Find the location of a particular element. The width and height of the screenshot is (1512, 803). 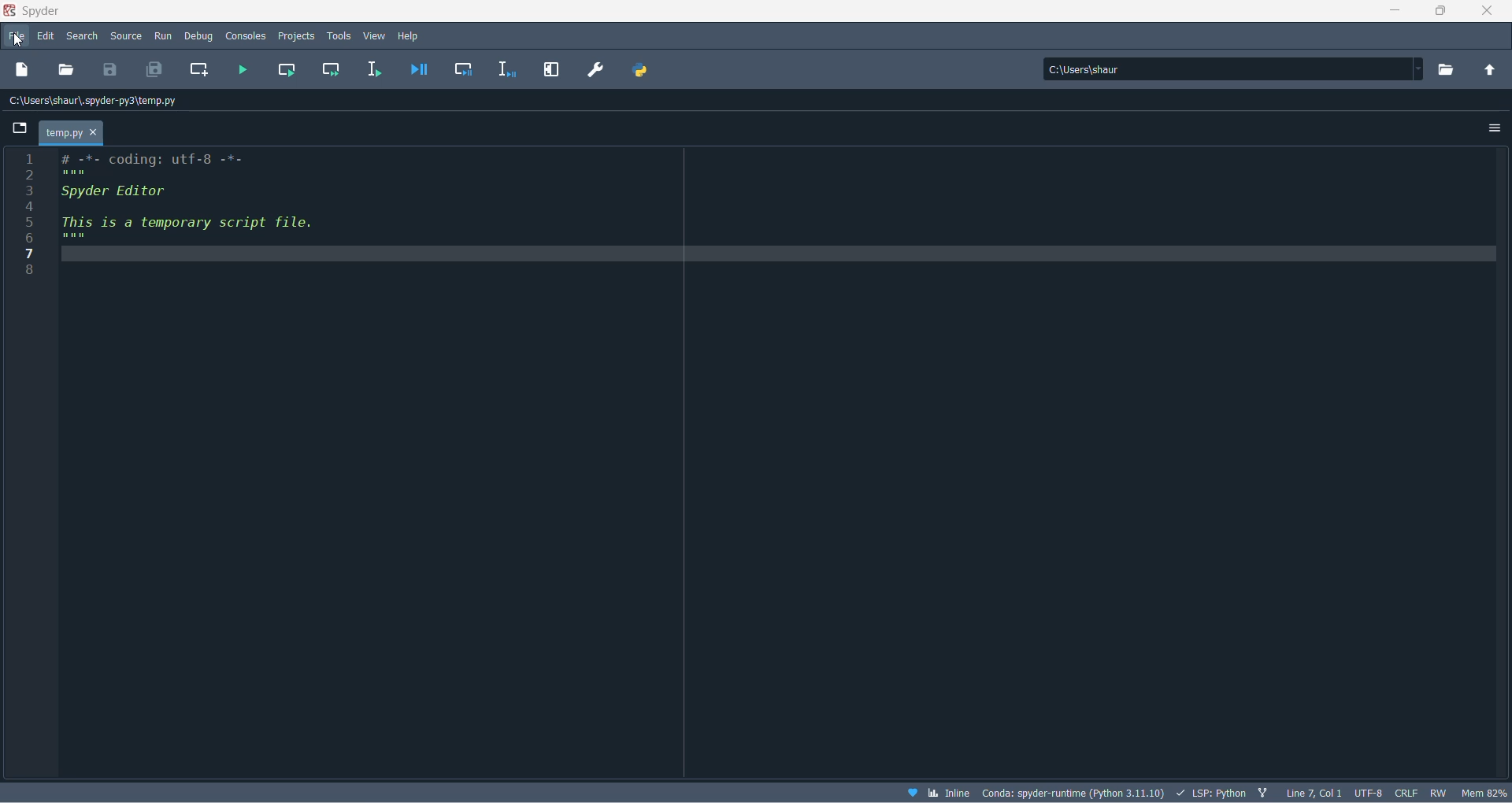

run current cell is located at coordinates (287, 69).